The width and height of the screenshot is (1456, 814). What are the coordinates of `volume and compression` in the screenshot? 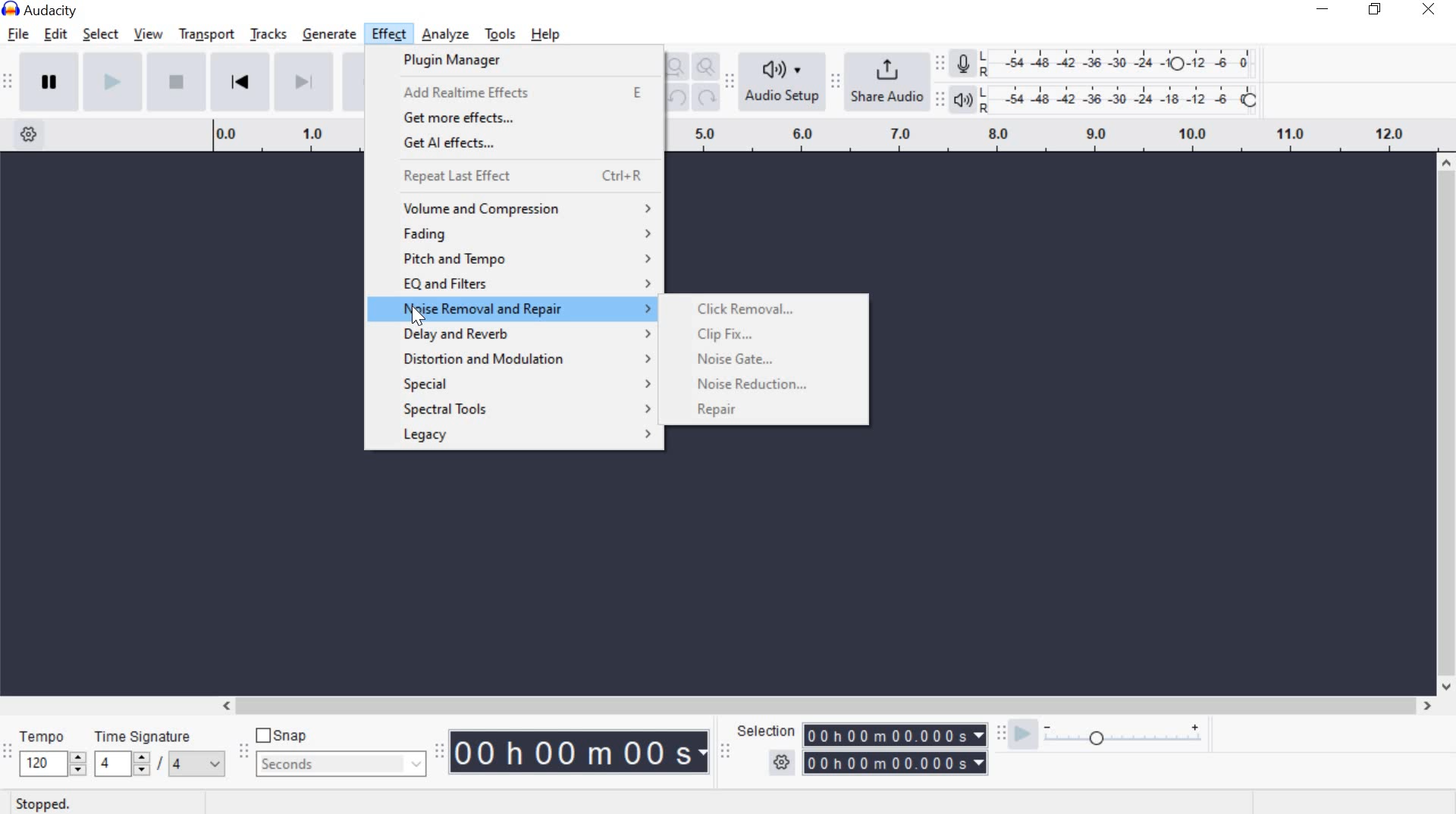 It's located at (526, 210).